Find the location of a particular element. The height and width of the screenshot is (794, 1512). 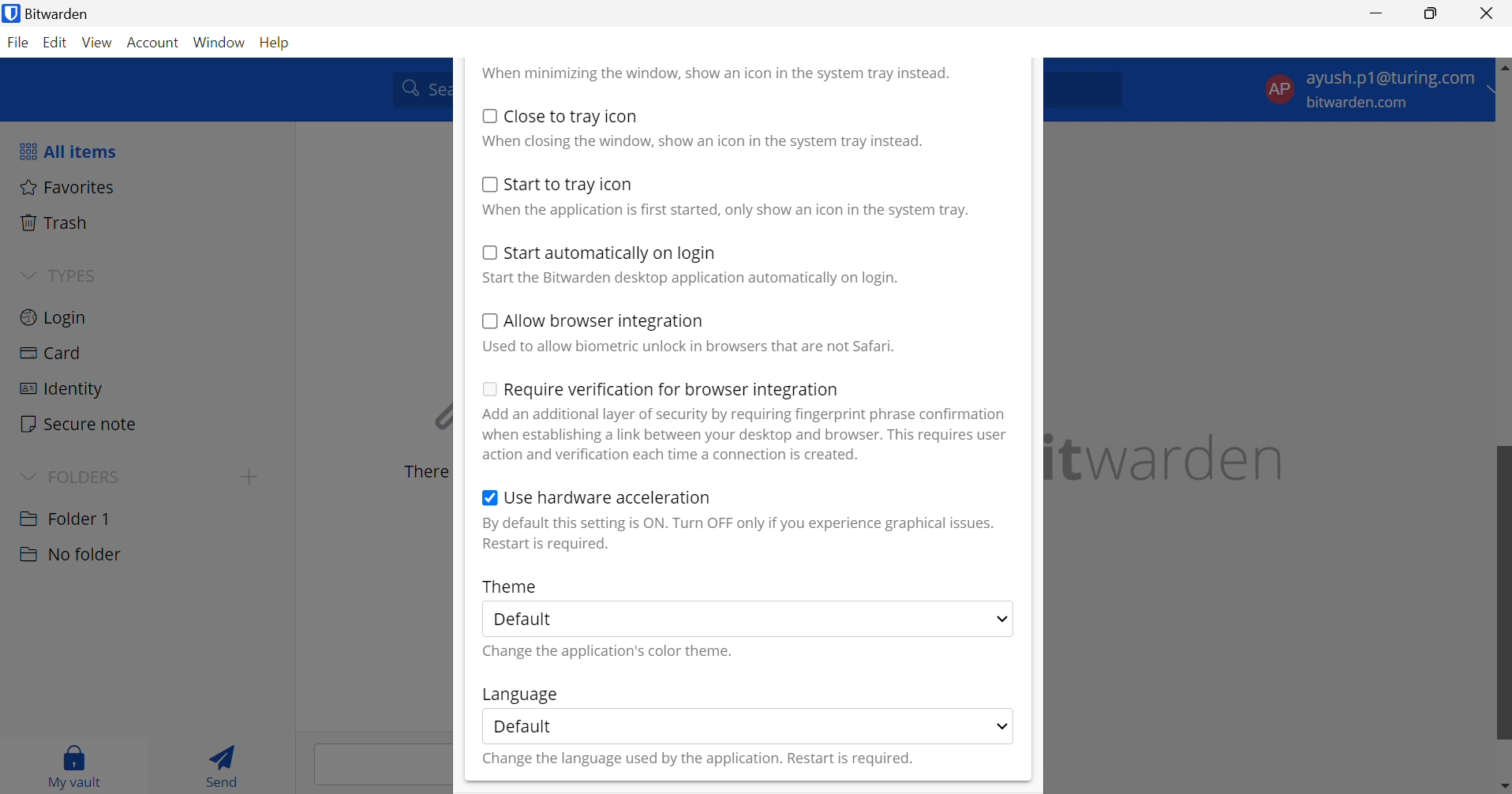

Start the Bitwarden desktop application automatically on login. is located at coordinates (692, 279).